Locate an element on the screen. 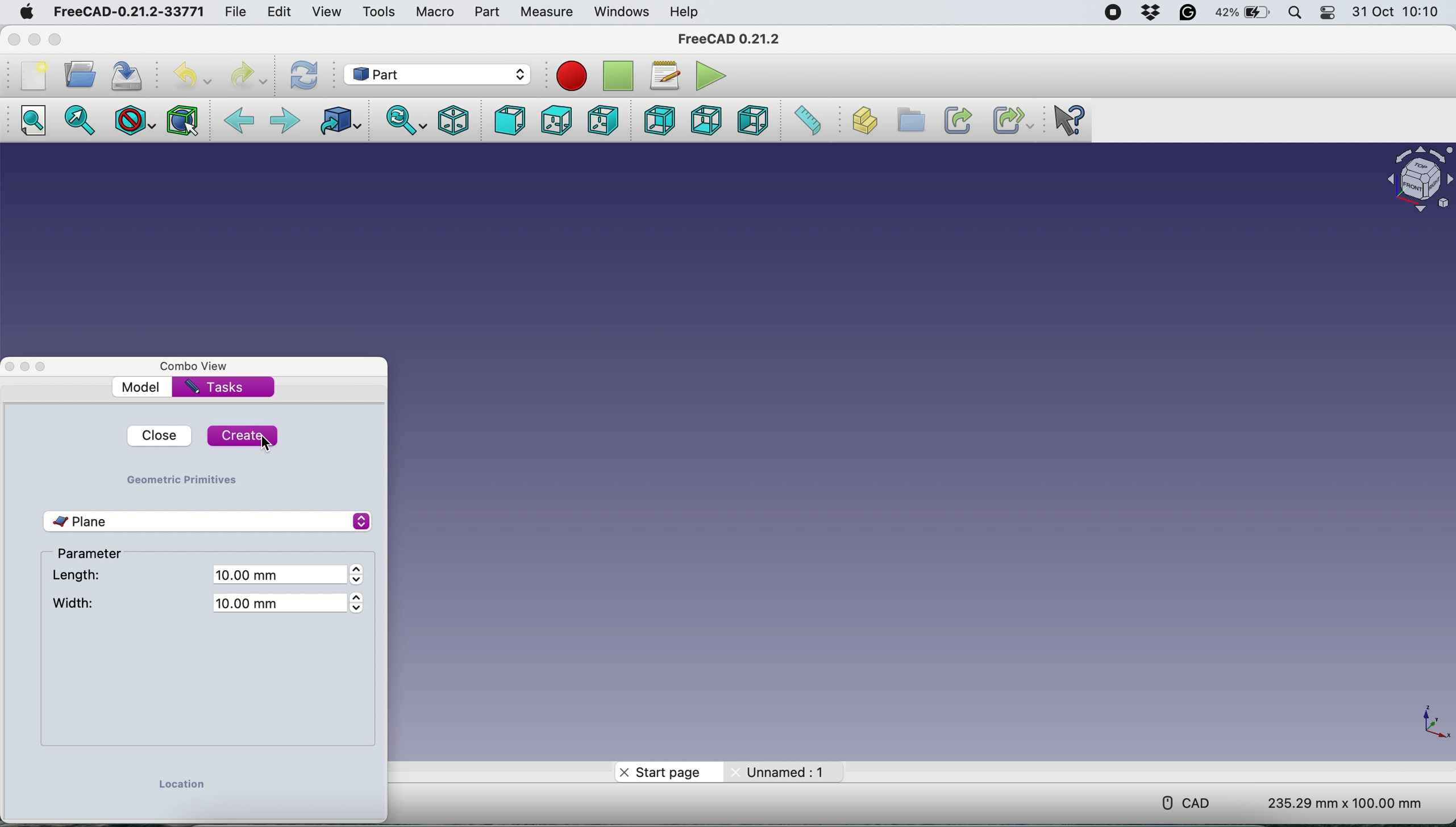 Image resolution: width=1456 pixels, height=827 pixels. View is located at coordinates (329, 11).